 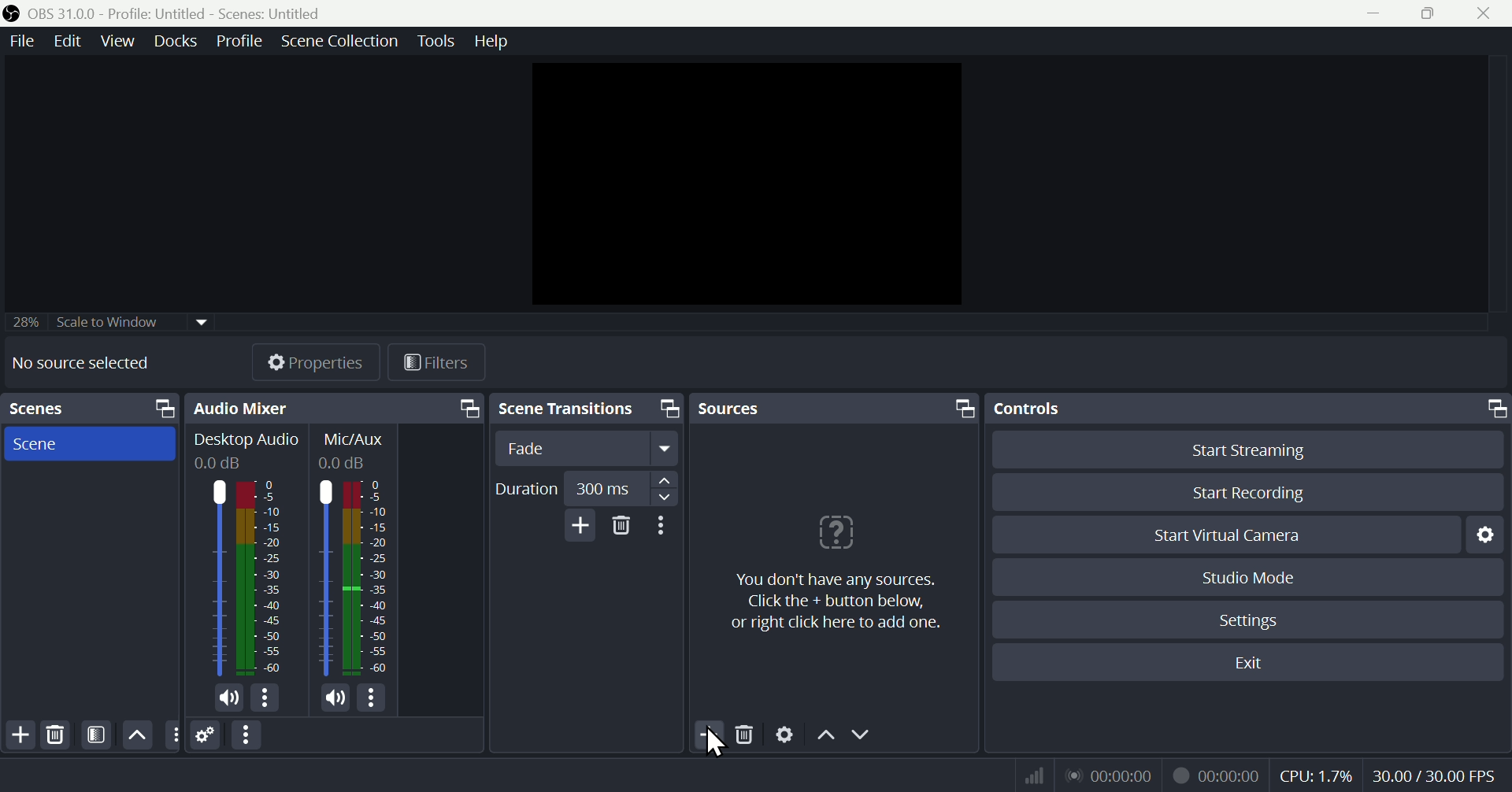 I want to click on Tools, so click(x=439, y=41).